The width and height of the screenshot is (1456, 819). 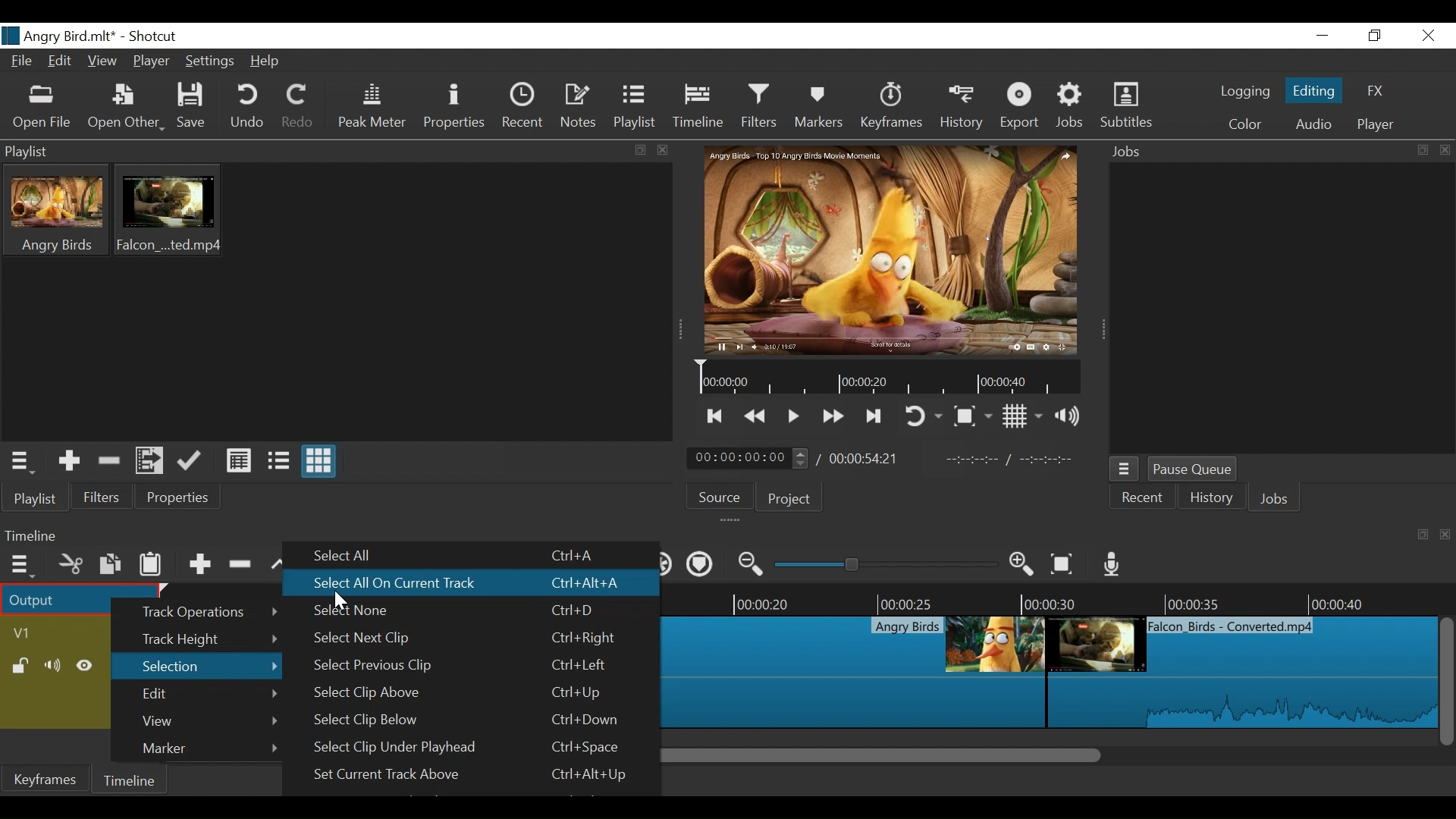 I want to click on Playlist , so click(x=36, y=497).